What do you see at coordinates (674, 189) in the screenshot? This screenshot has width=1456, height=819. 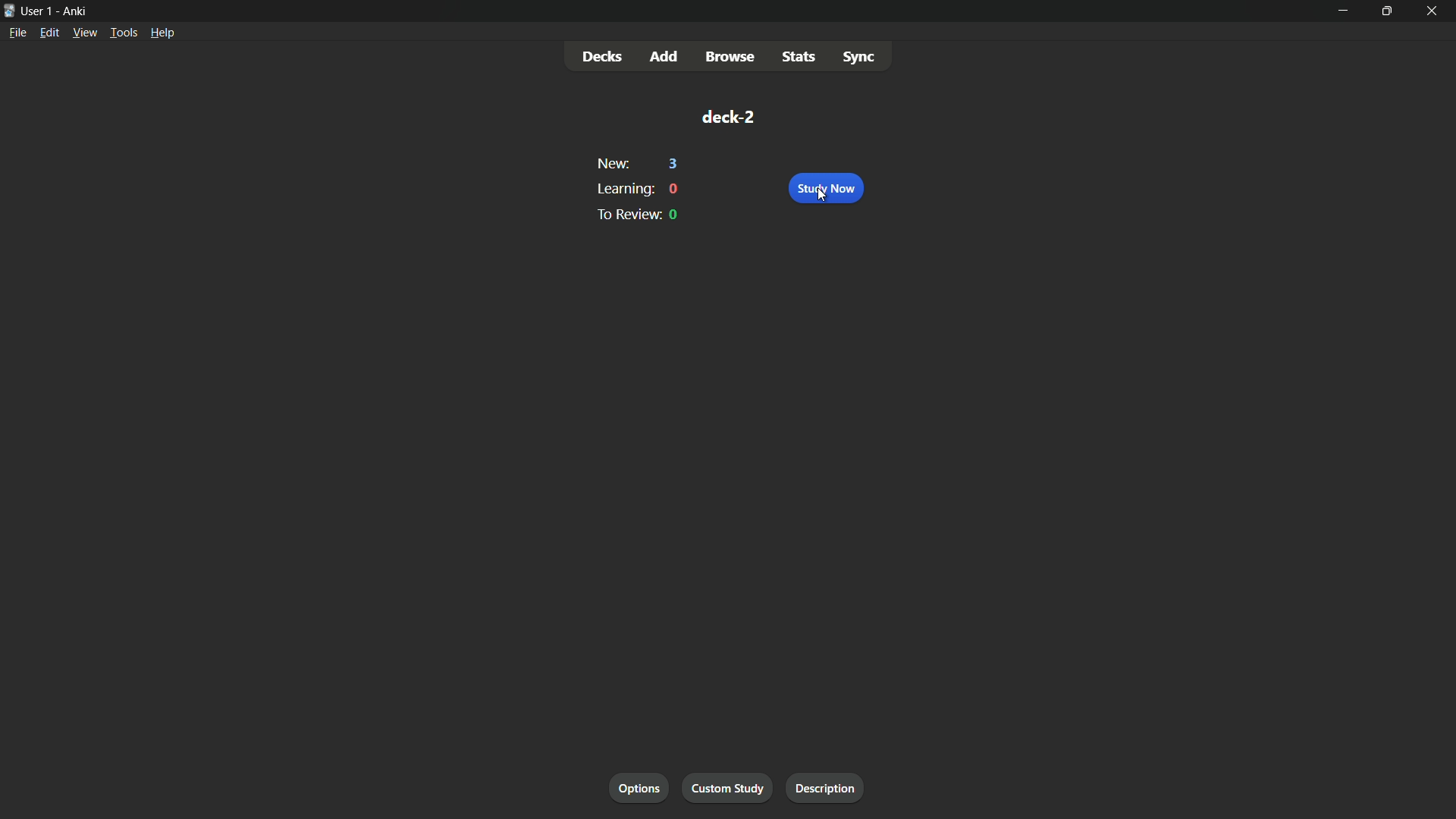 I see `0` at bounding box center [674, 189].